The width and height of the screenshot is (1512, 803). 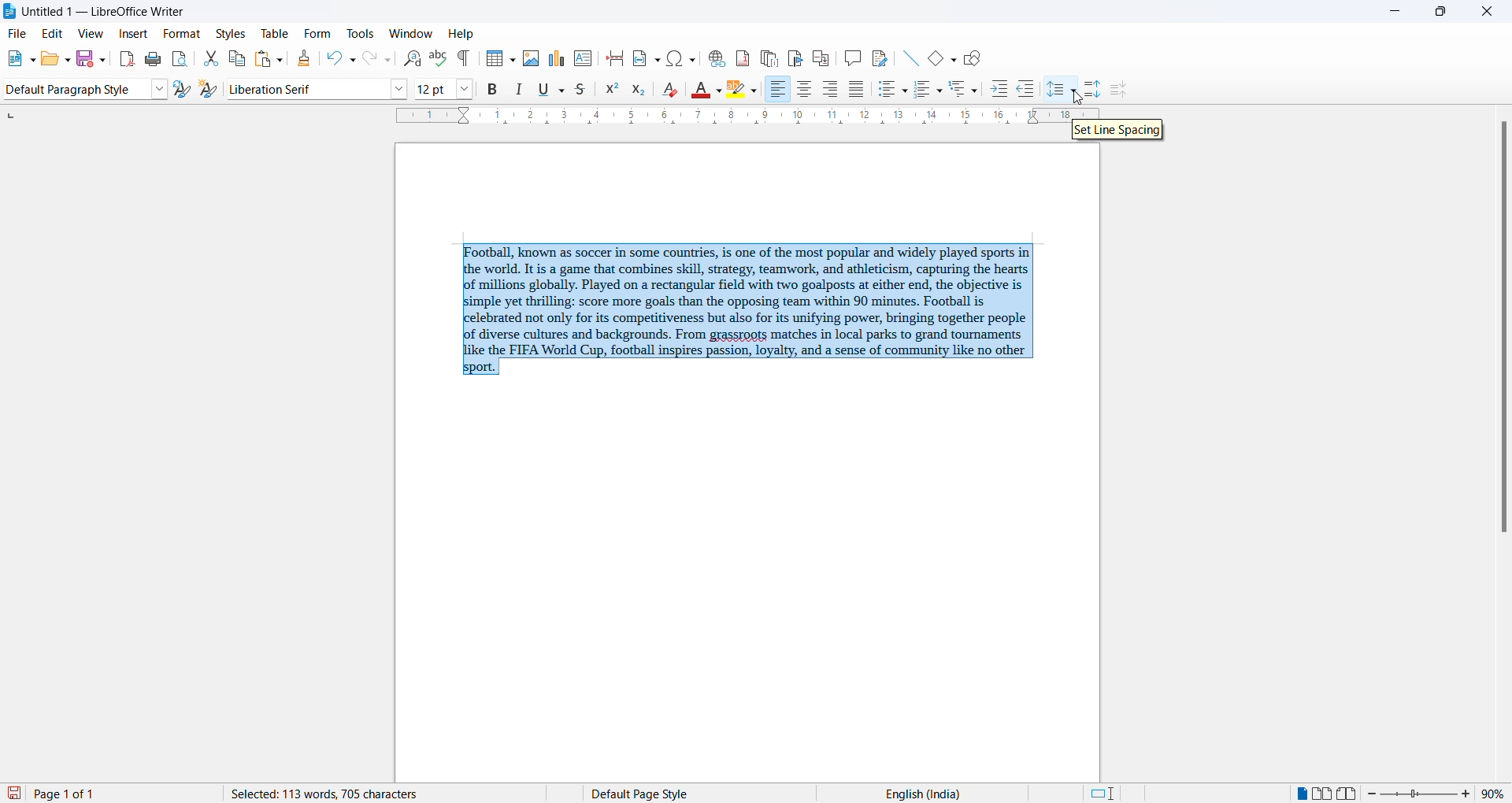 I want to click on view, so click(x=88, y=33).